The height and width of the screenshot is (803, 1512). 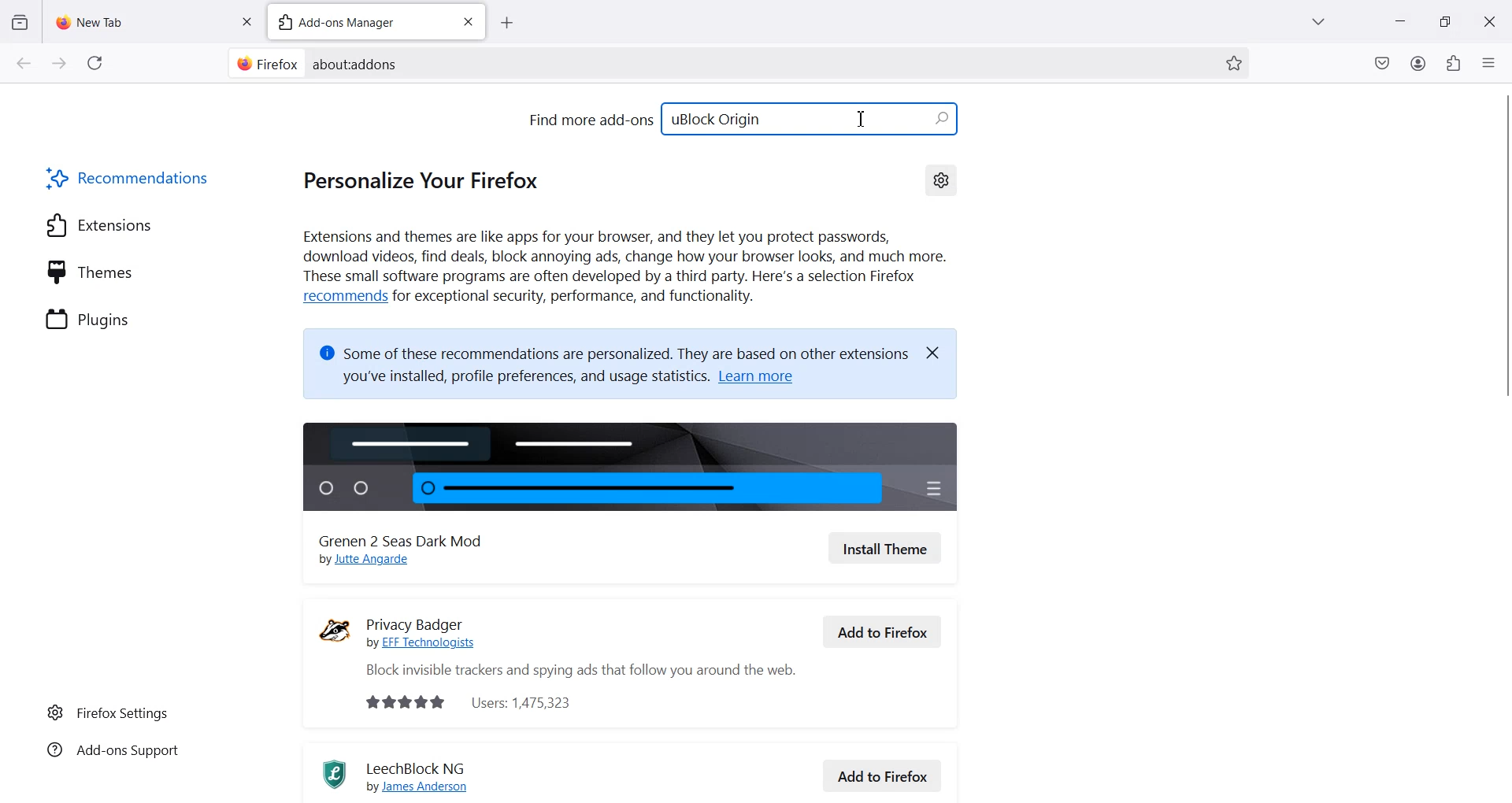 I want to click on Add-ons Managers, so click(x=355, y=21).